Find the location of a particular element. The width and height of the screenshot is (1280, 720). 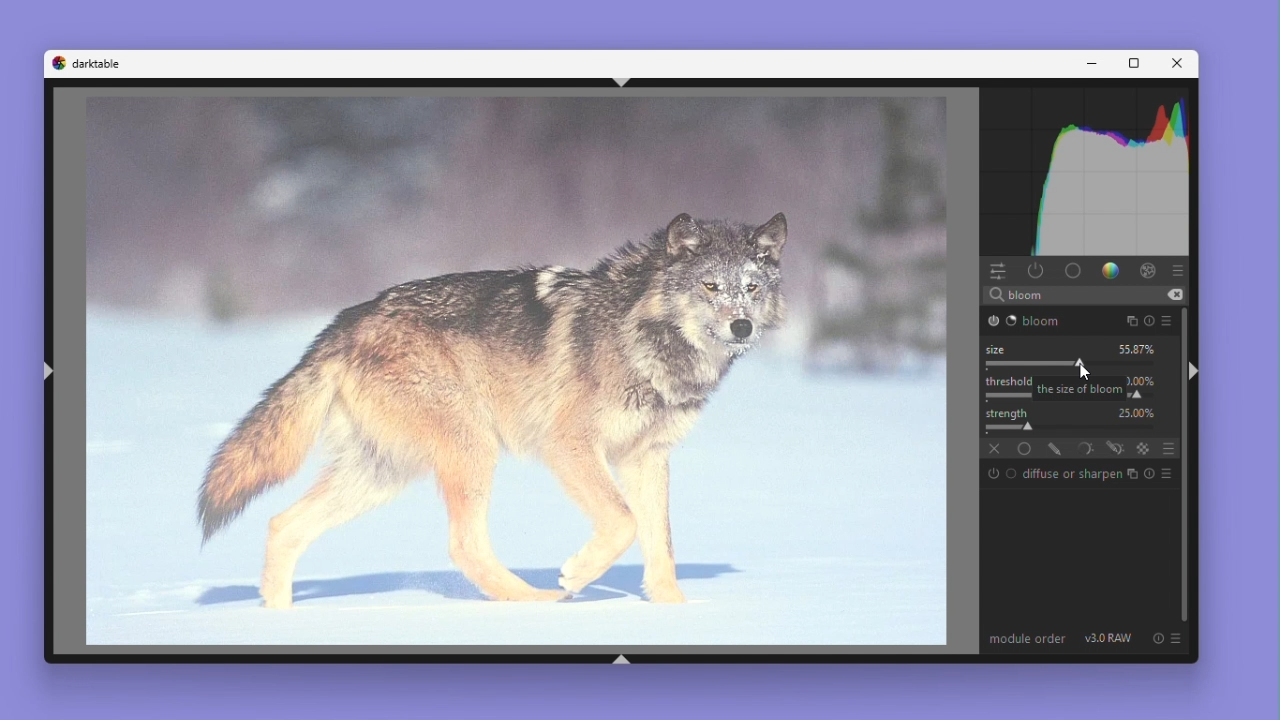

enable/disable module is located at coordinates (991, 319).